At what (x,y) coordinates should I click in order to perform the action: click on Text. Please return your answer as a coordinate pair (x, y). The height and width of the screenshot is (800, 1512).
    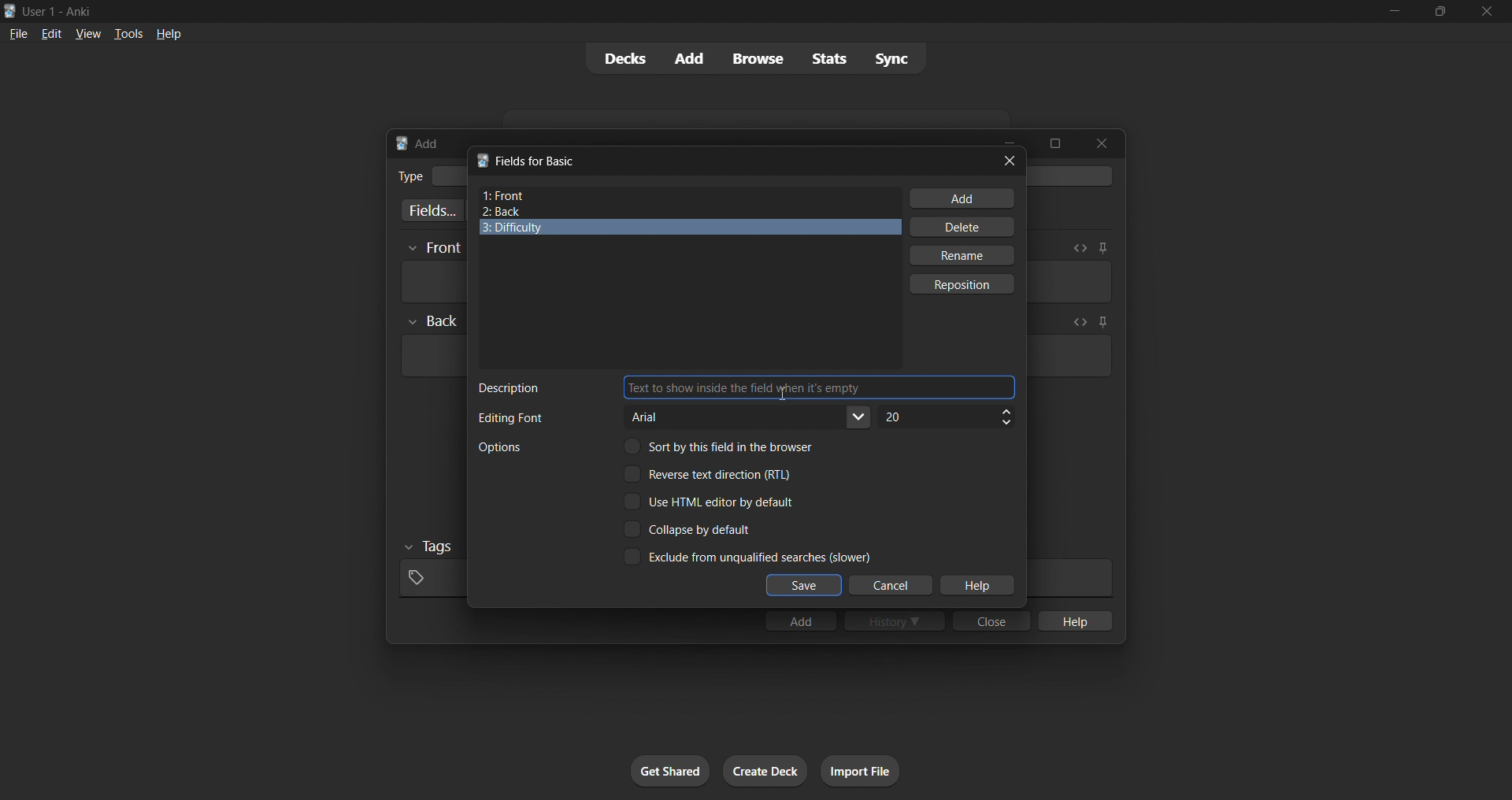
    Looking at the image, I should click on (510, 388).